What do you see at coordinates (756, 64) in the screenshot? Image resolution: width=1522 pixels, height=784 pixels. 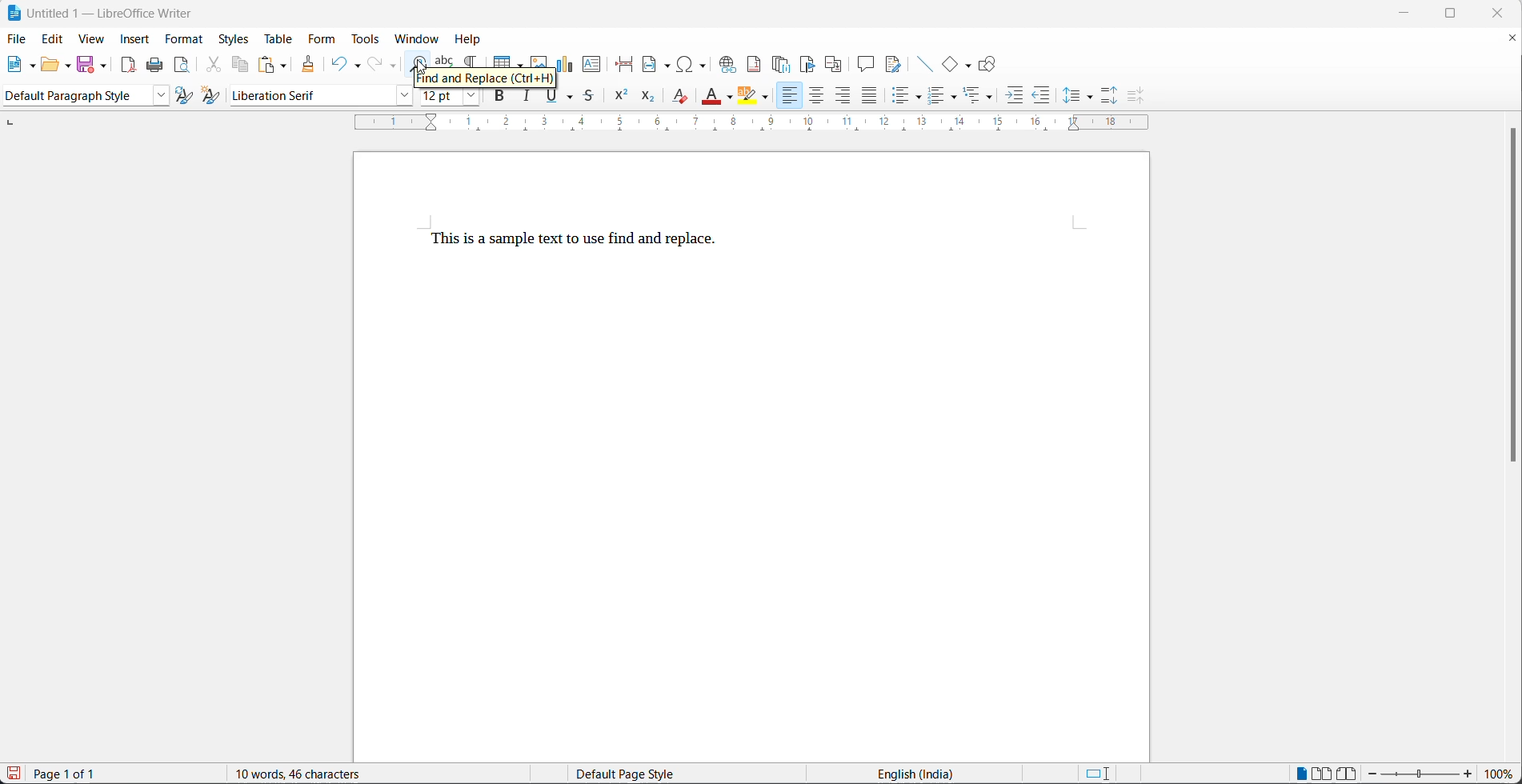 I see `insert footnote` at bounding box center [756, 64].